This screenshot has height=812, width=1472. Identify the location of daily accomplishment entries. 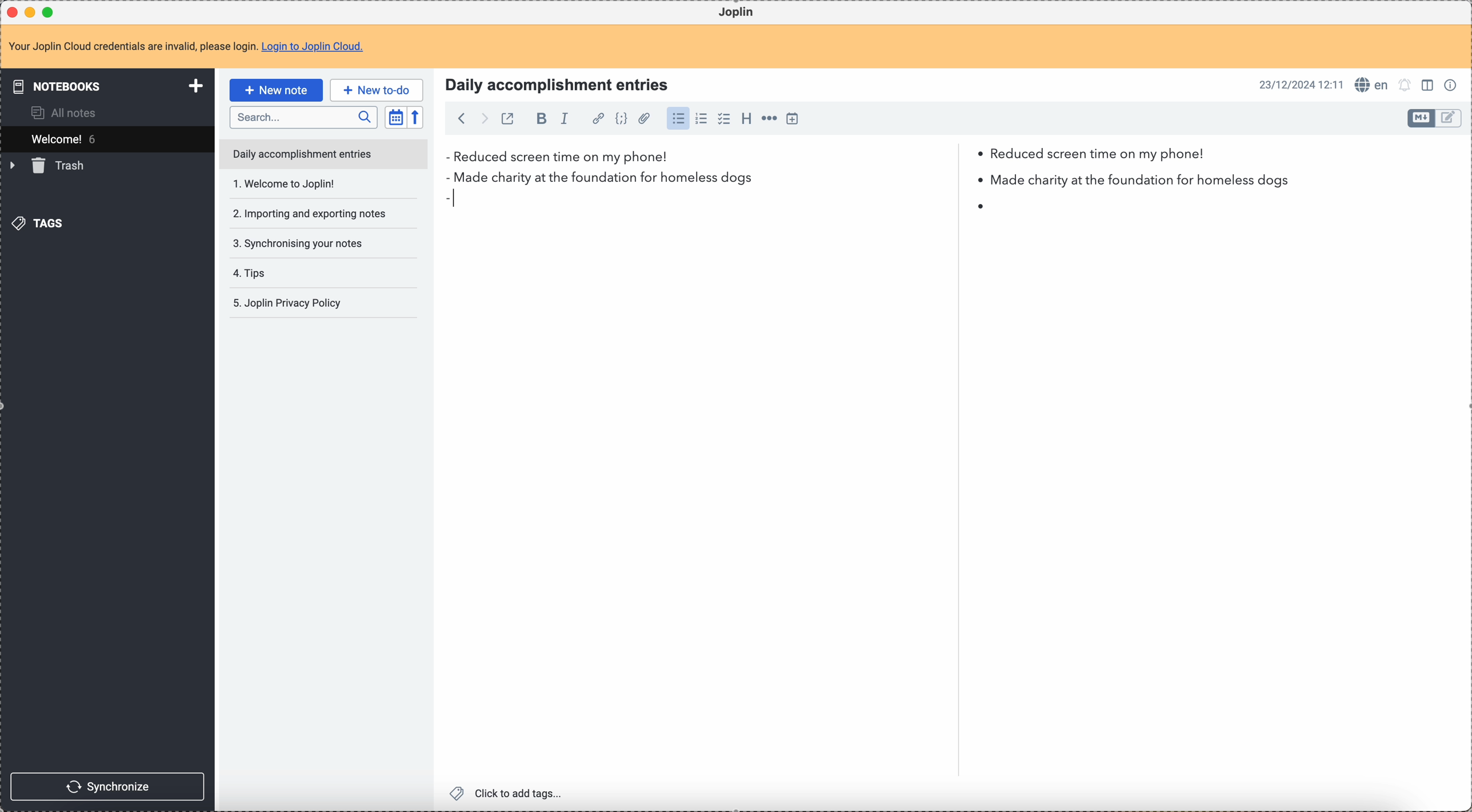
(301, 153).